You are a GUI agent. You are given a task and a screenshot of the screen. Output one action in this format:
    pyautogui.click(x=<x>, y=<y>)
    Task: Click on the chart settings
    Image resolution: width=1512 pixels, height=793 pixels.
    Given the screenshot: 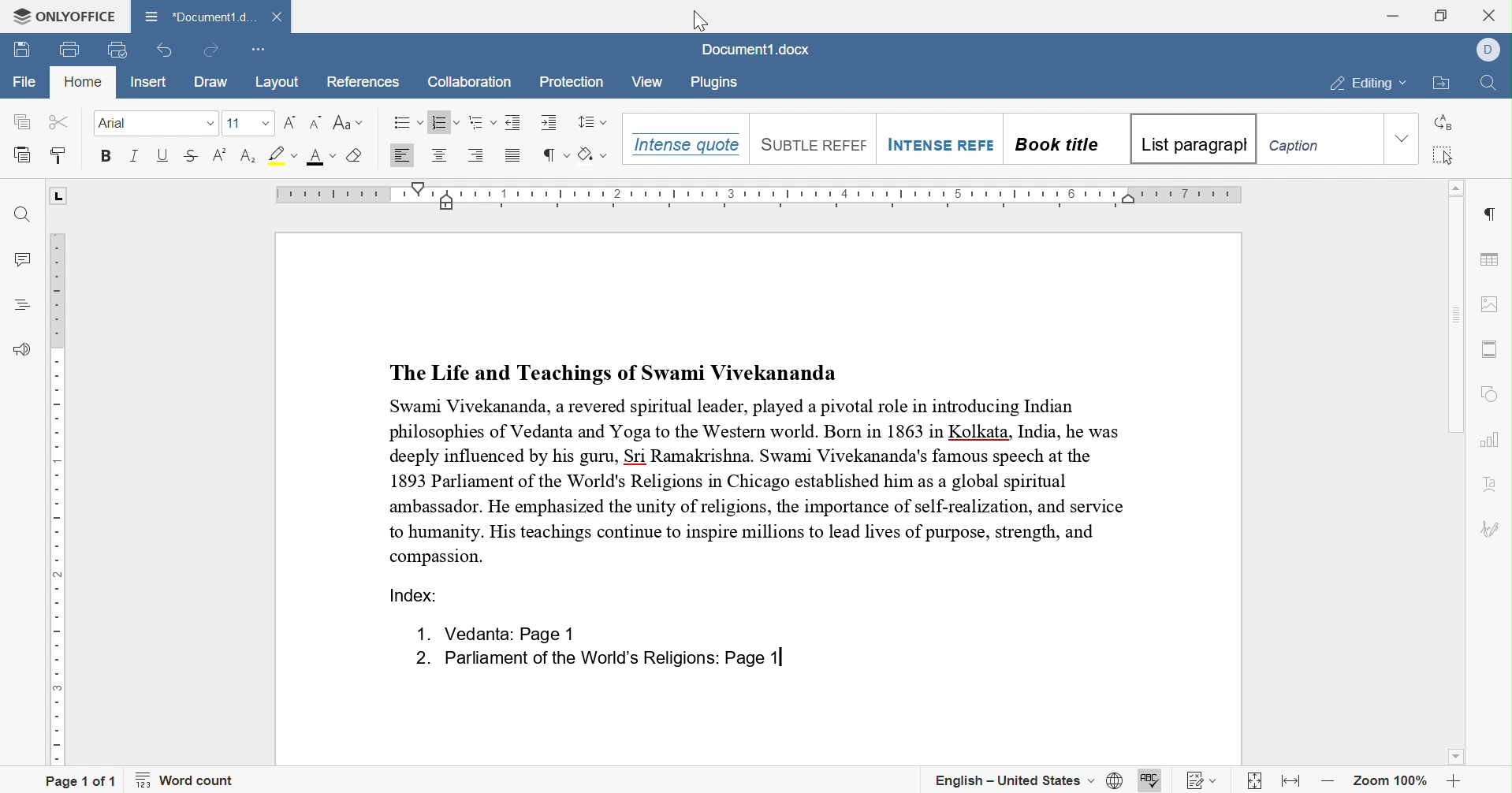 What is the action you would take?
    pyautogui.click(x=1491, y=440)
    